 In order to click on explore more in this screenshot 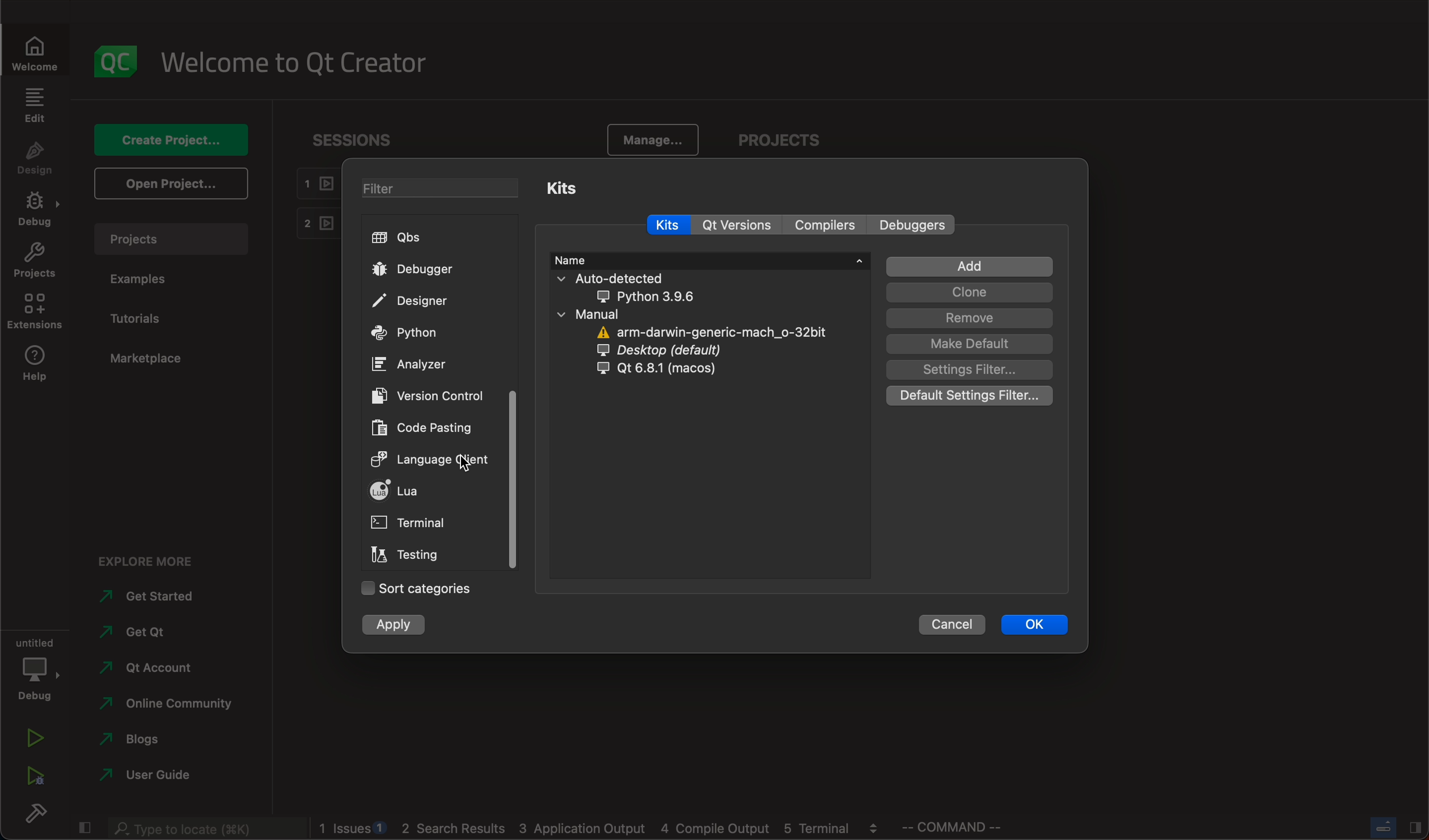, I will do `click(157, 559)`.